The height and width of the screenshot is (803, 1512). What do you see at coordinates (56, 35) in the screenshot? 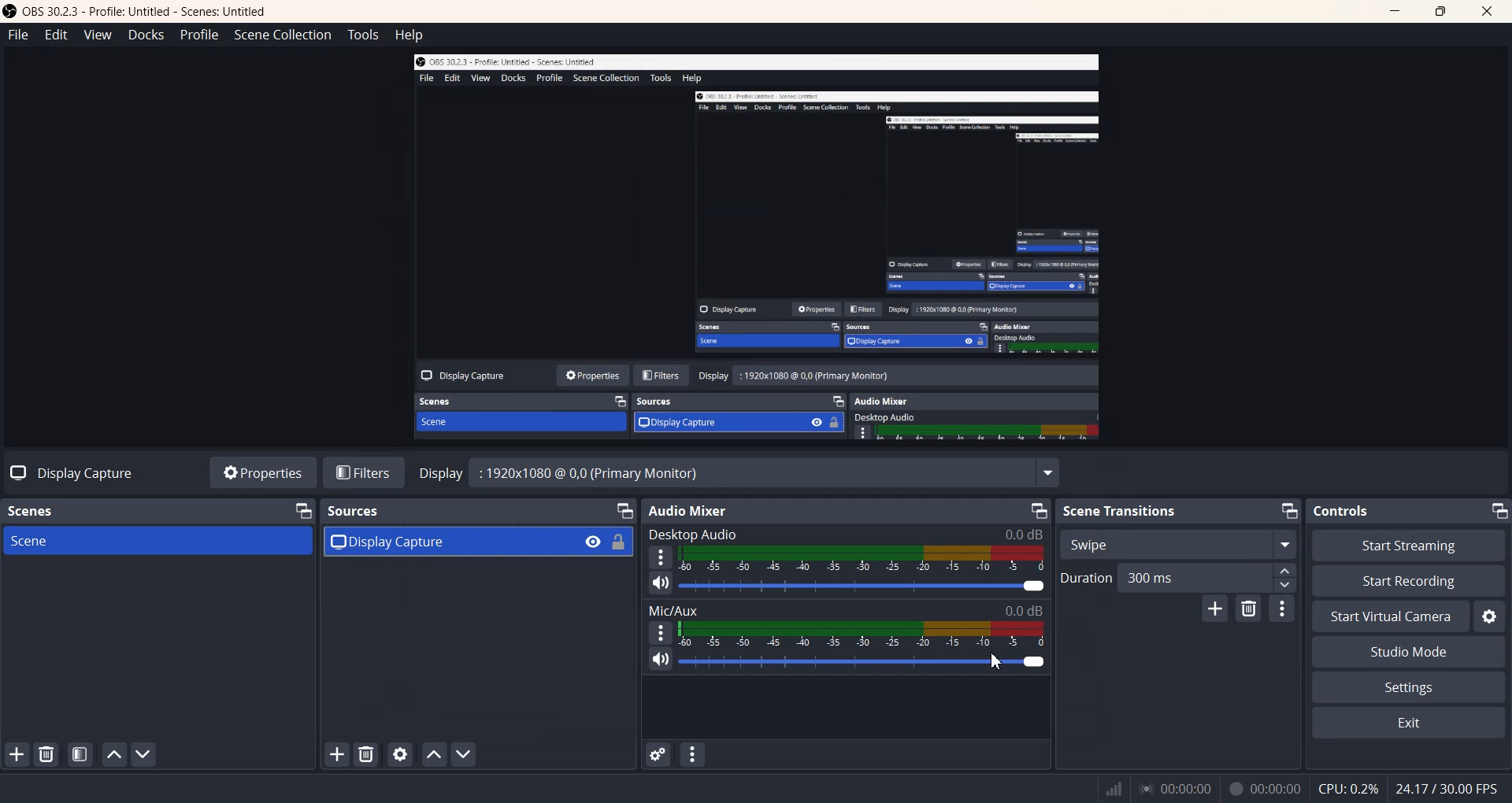
I see `Edit` at bounding box center [56, 35].